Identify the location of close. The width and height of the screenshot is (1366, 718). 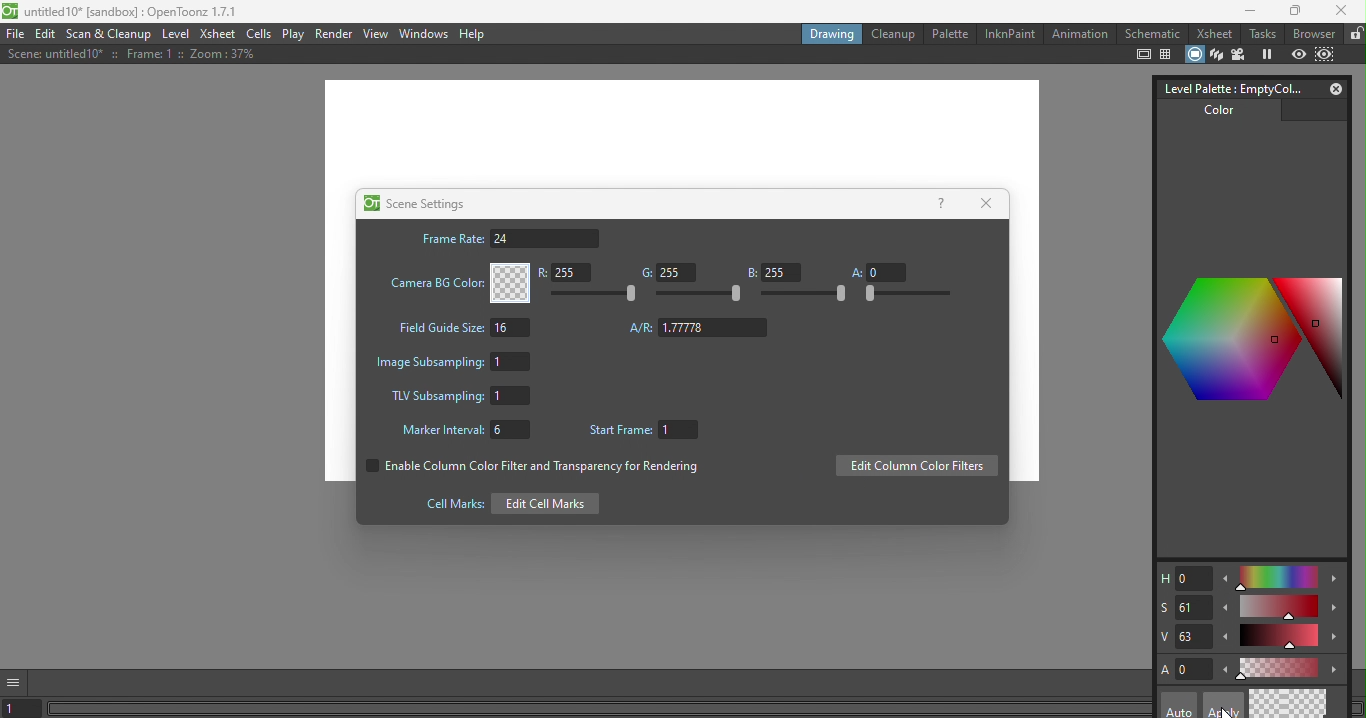
(1344, 13).